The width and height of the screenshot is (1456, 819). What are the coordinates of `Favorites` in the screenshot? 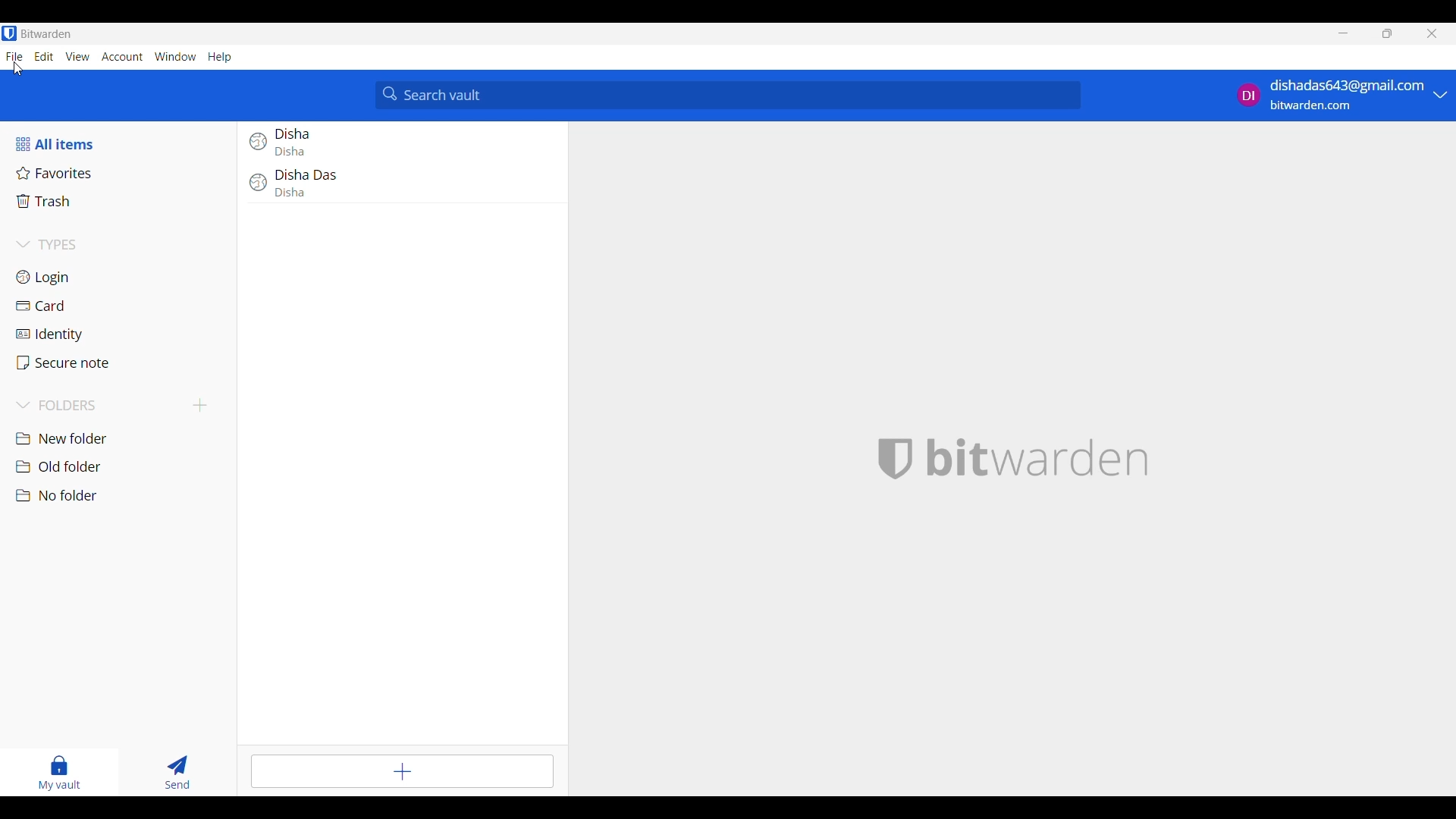 It's located at (120, 174).